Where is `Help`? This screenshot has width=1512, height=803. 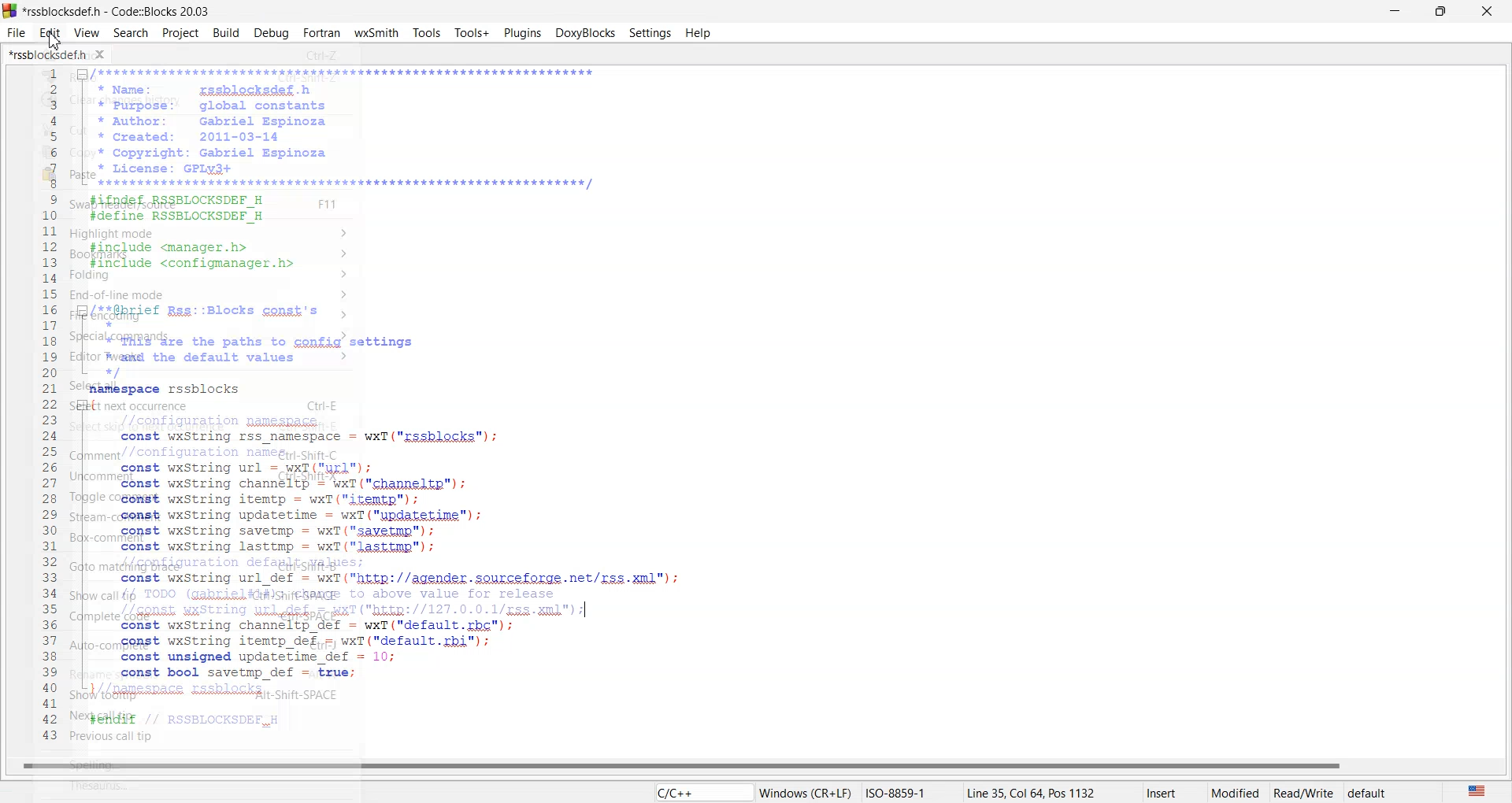 Help is located at coordinates (699, 32).